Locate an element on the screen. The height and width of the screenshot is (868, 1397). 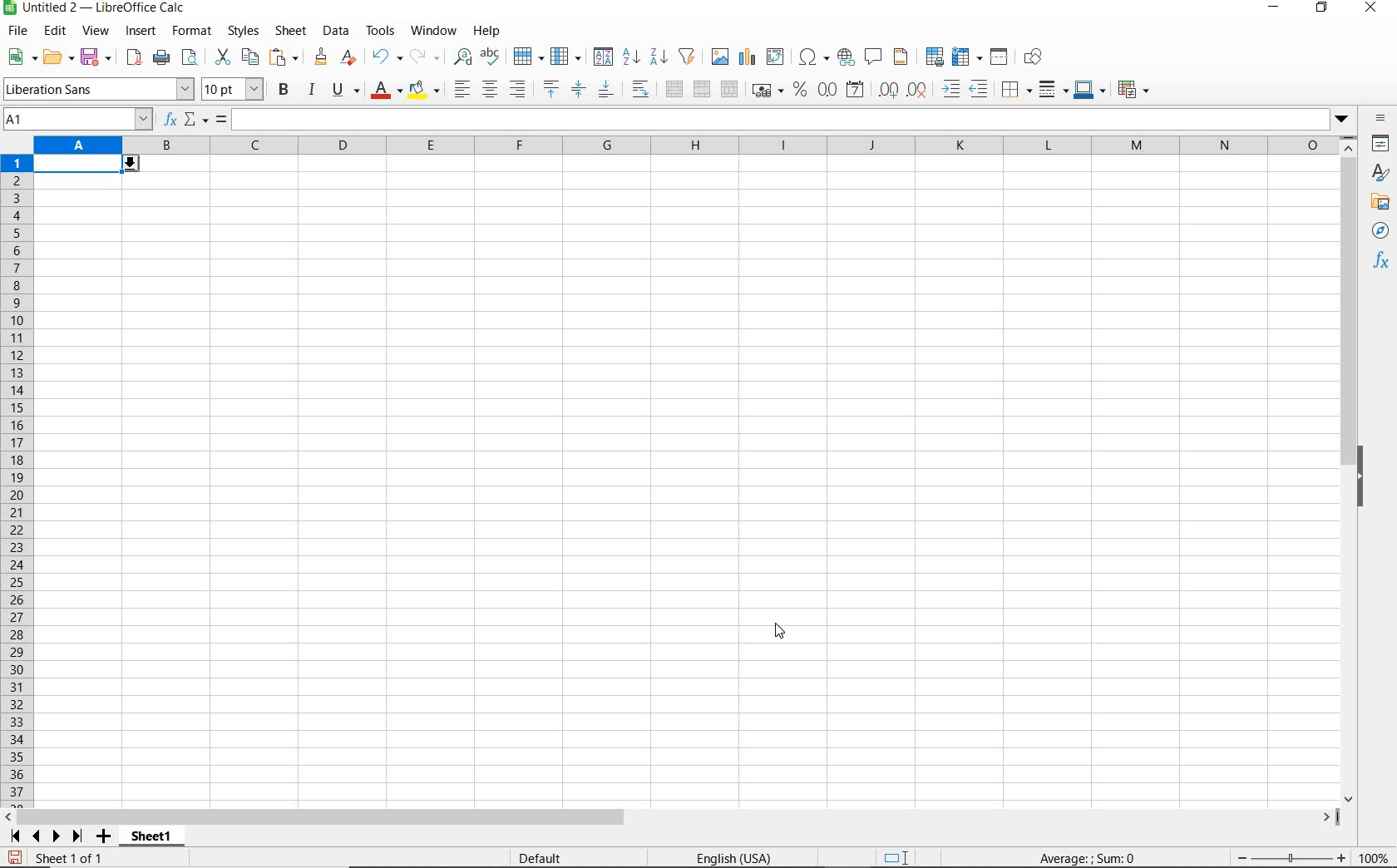
insert special characters is located at coordinates (814, 57).